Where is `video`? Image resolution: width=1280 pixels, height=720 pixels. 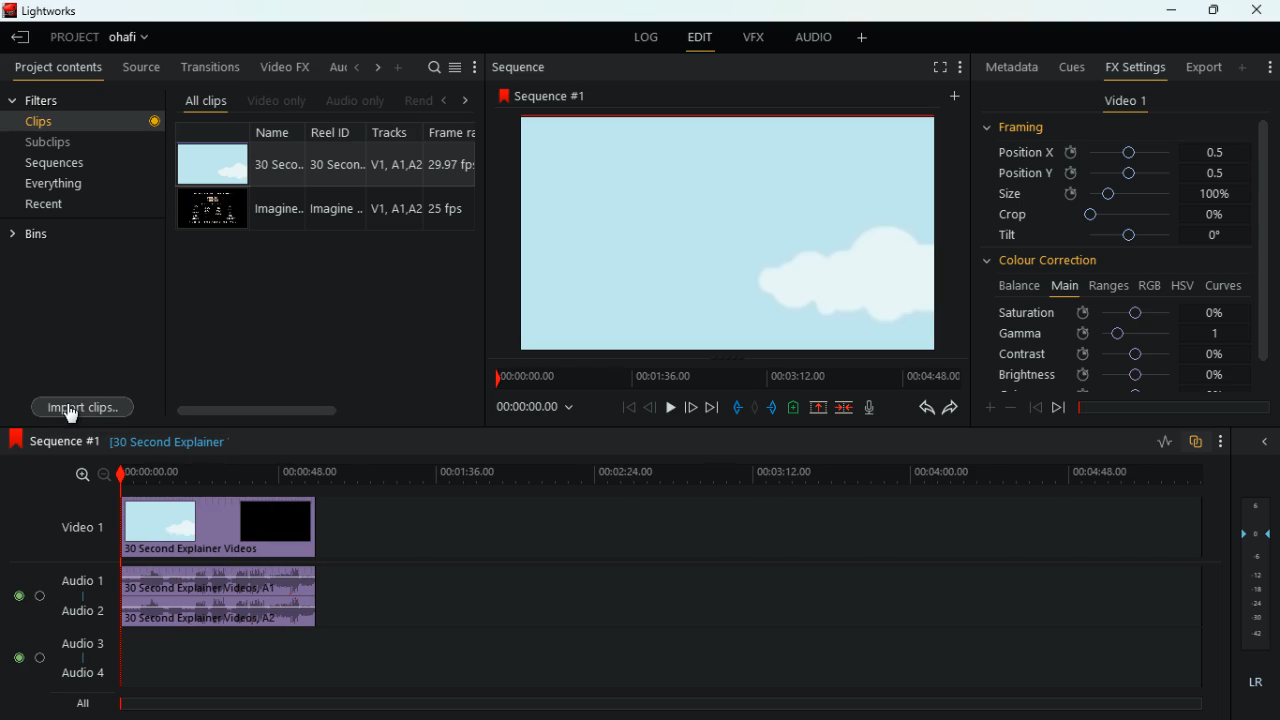 video is located at coordinates (215, 209).